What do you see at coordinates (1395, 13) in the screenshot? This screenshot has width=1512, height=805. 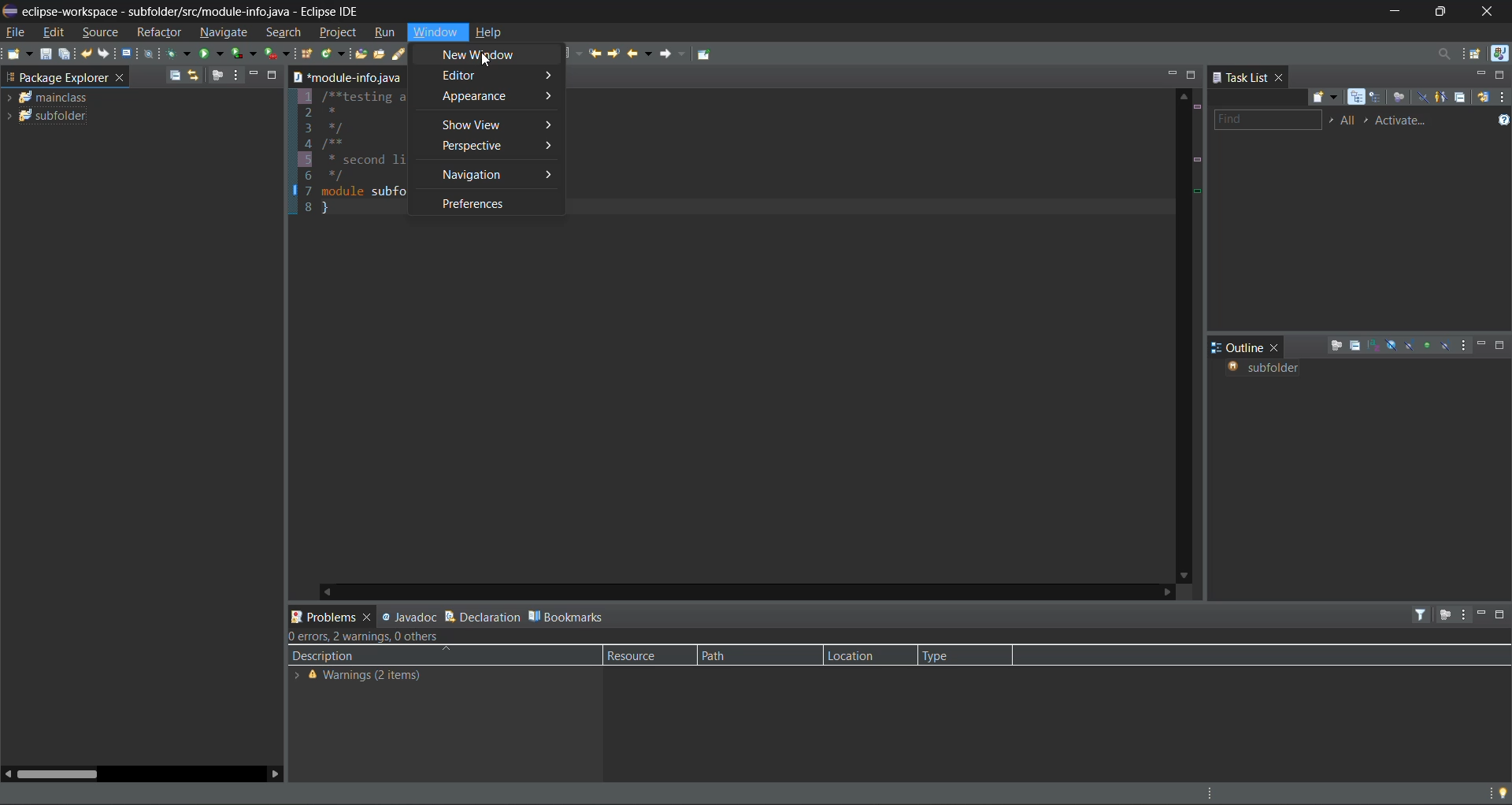 I see `minimize` at bounding box center [1395, 13].